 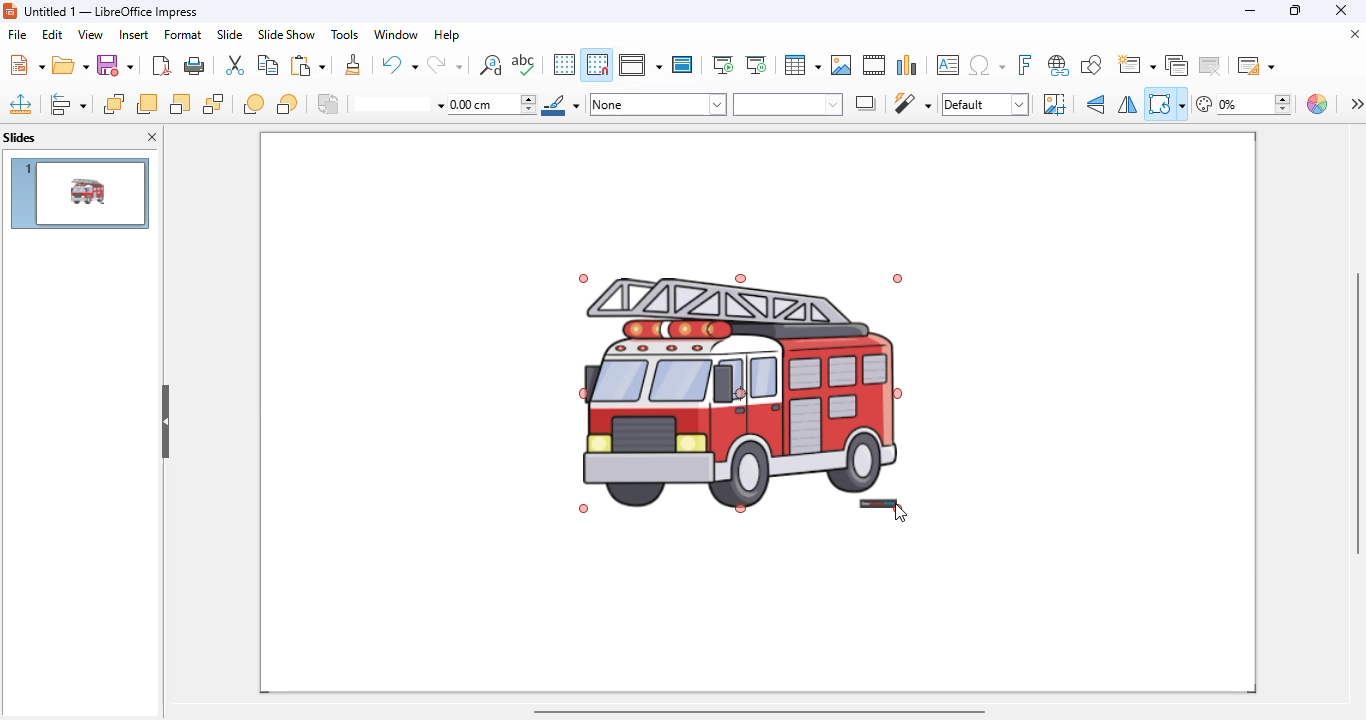 I want to click on insert image, so click(x=841, y=65).